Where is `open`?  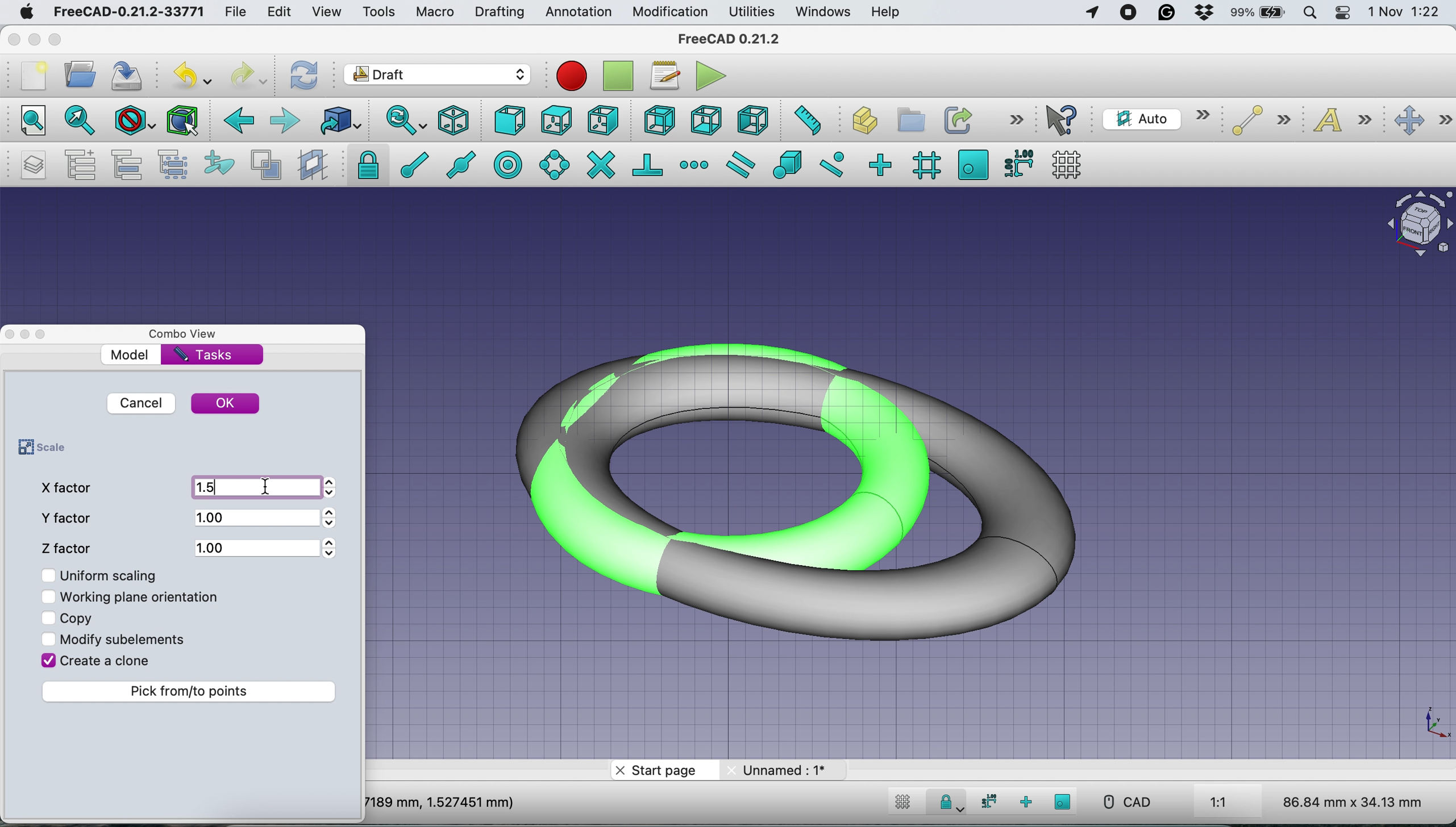 open is located at coordinates (80, 77).